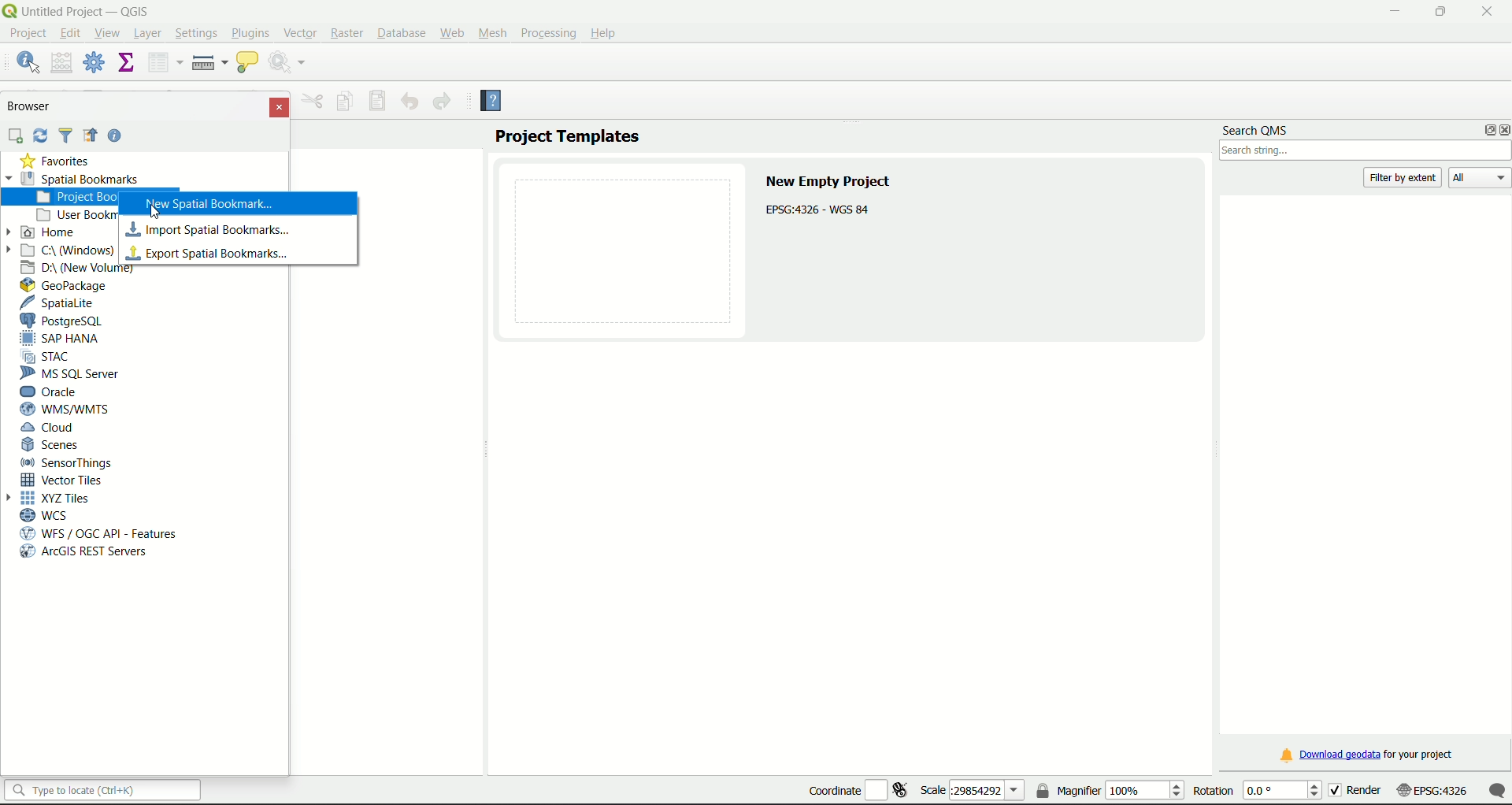  I want to click on Database, so click(399, 33).